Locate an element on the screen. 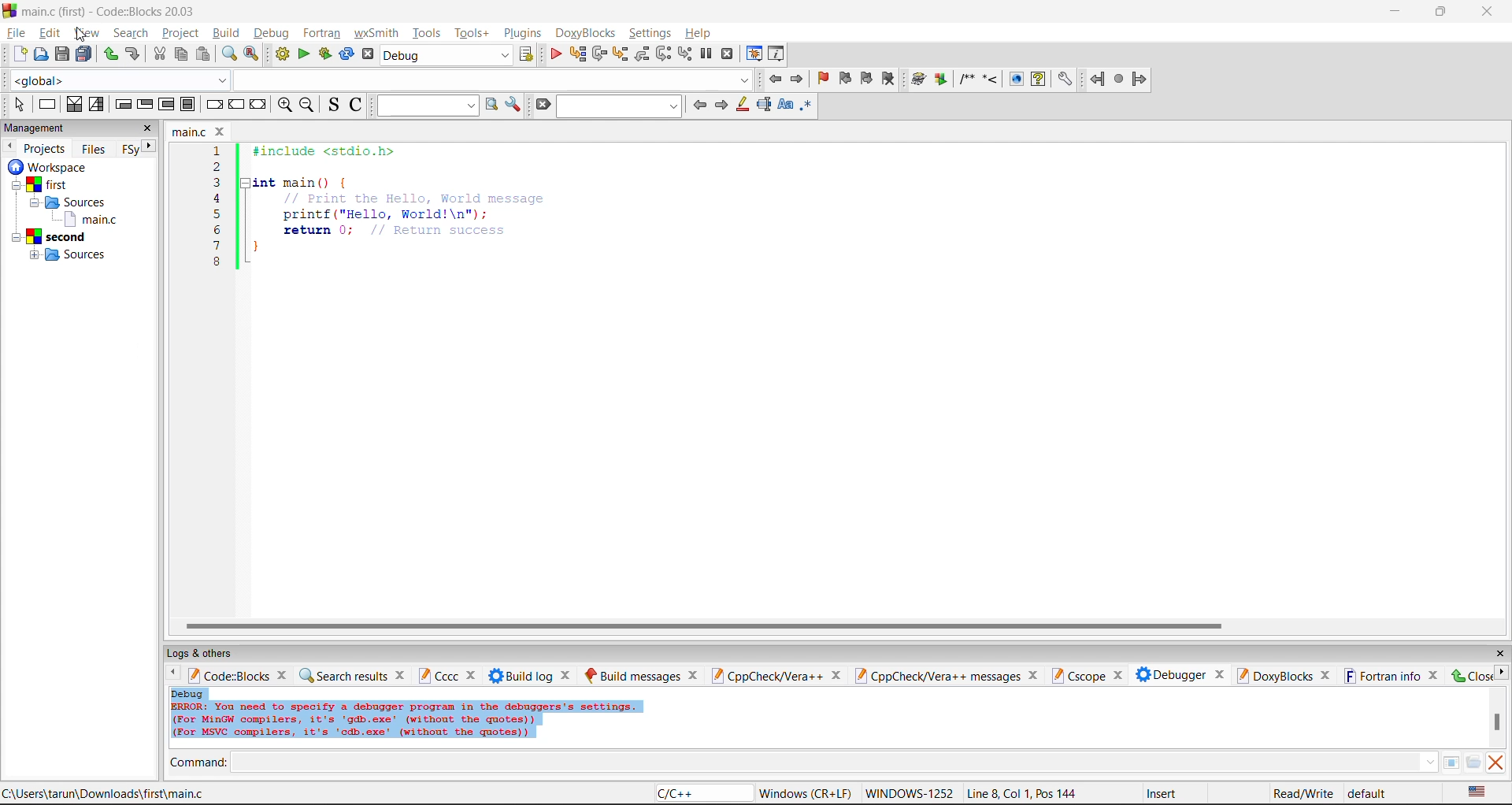 This screenshot has width=1512, height=805. save all is located at coordinates (84, 54).